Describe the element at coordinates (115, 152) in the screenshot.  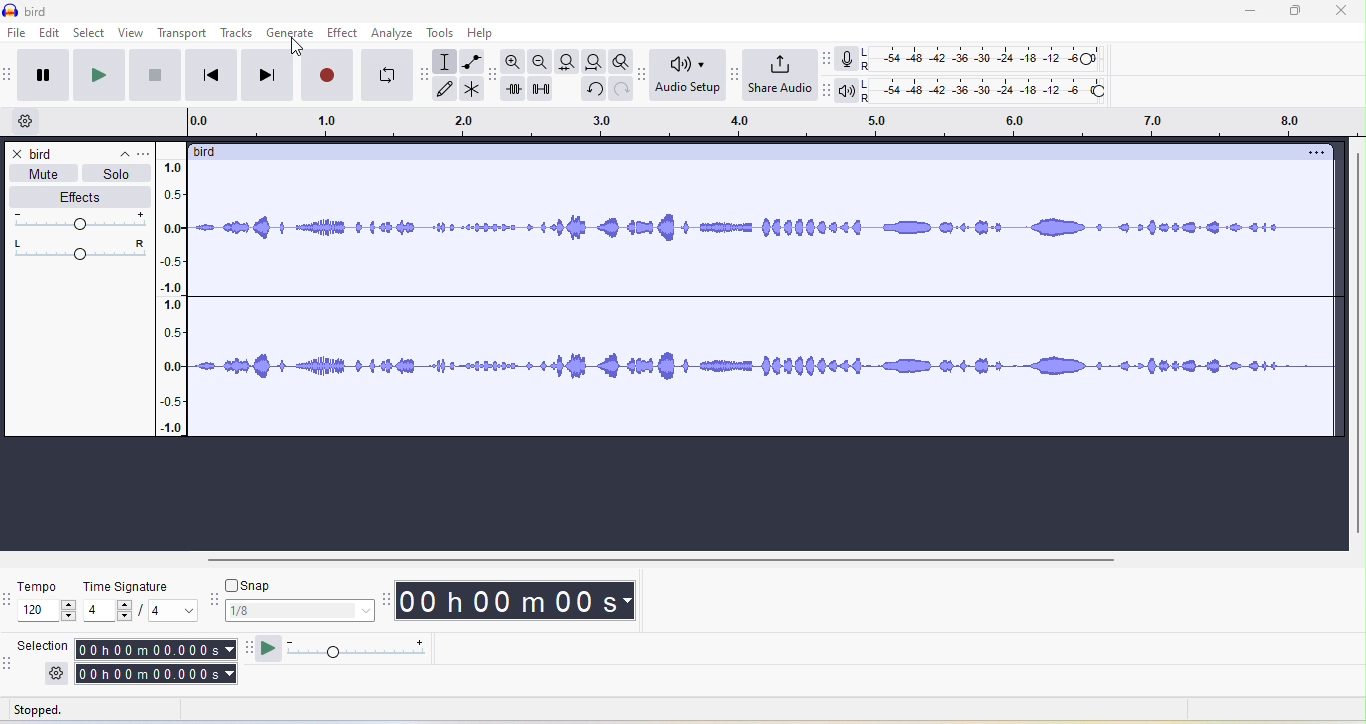
I see `collapse` at that location.